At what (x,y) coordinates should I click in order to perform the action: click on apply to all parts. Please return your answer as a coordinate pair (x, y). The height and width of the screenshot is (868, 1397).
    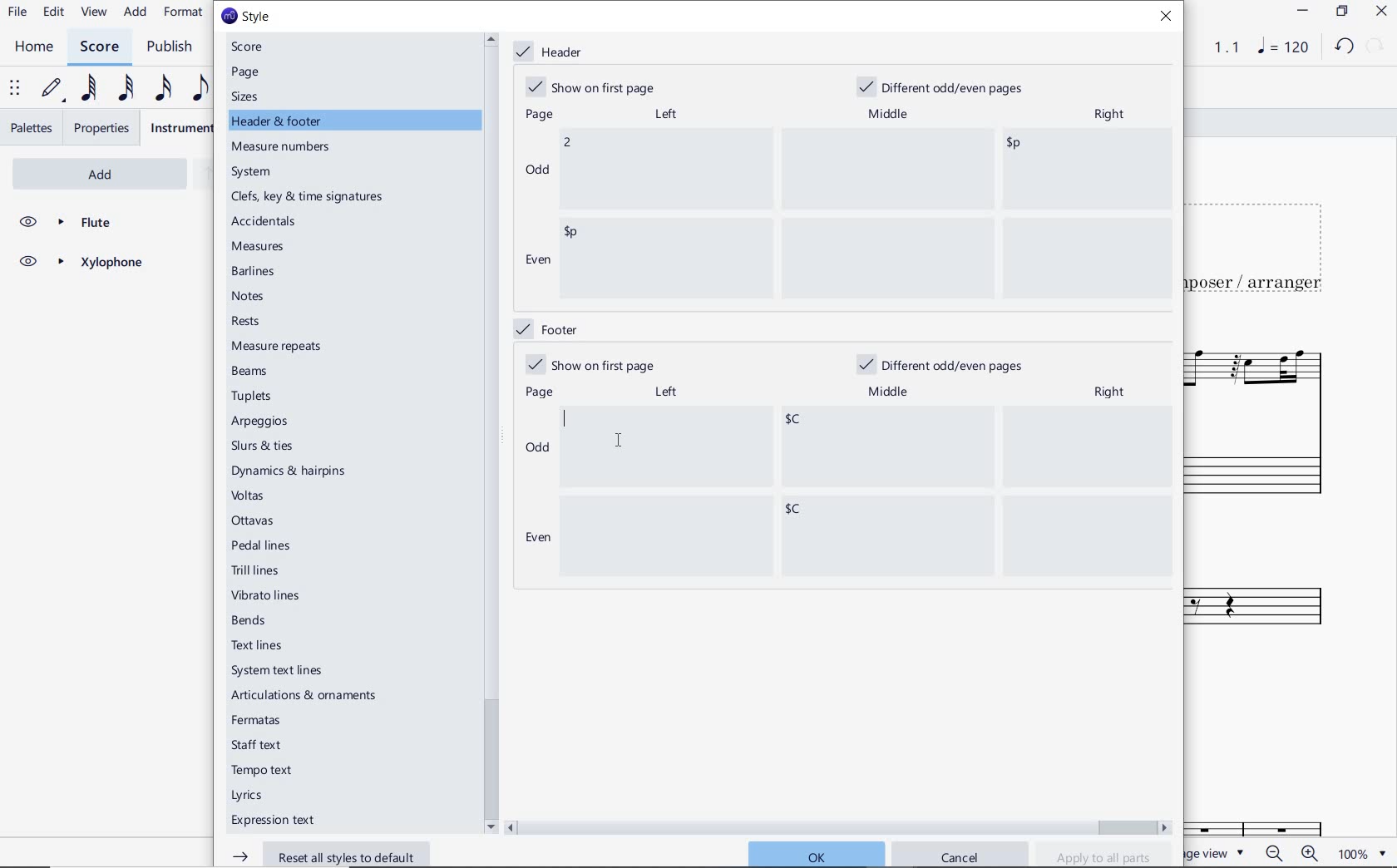
    Looking at the image, I should click on (1104, 856).